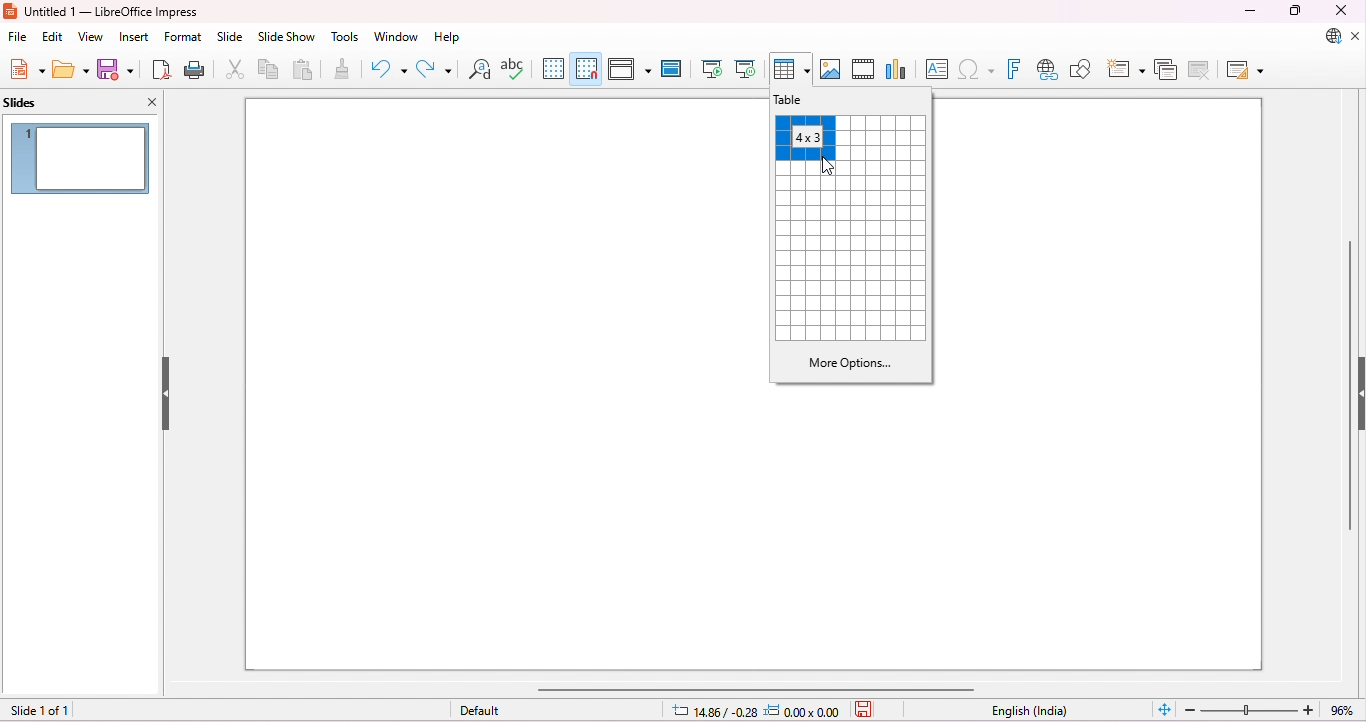 This screenshot has width=1366, height=722. Describe the element at coordinates (447, 38) in the screenshot. I see `help` at that location.